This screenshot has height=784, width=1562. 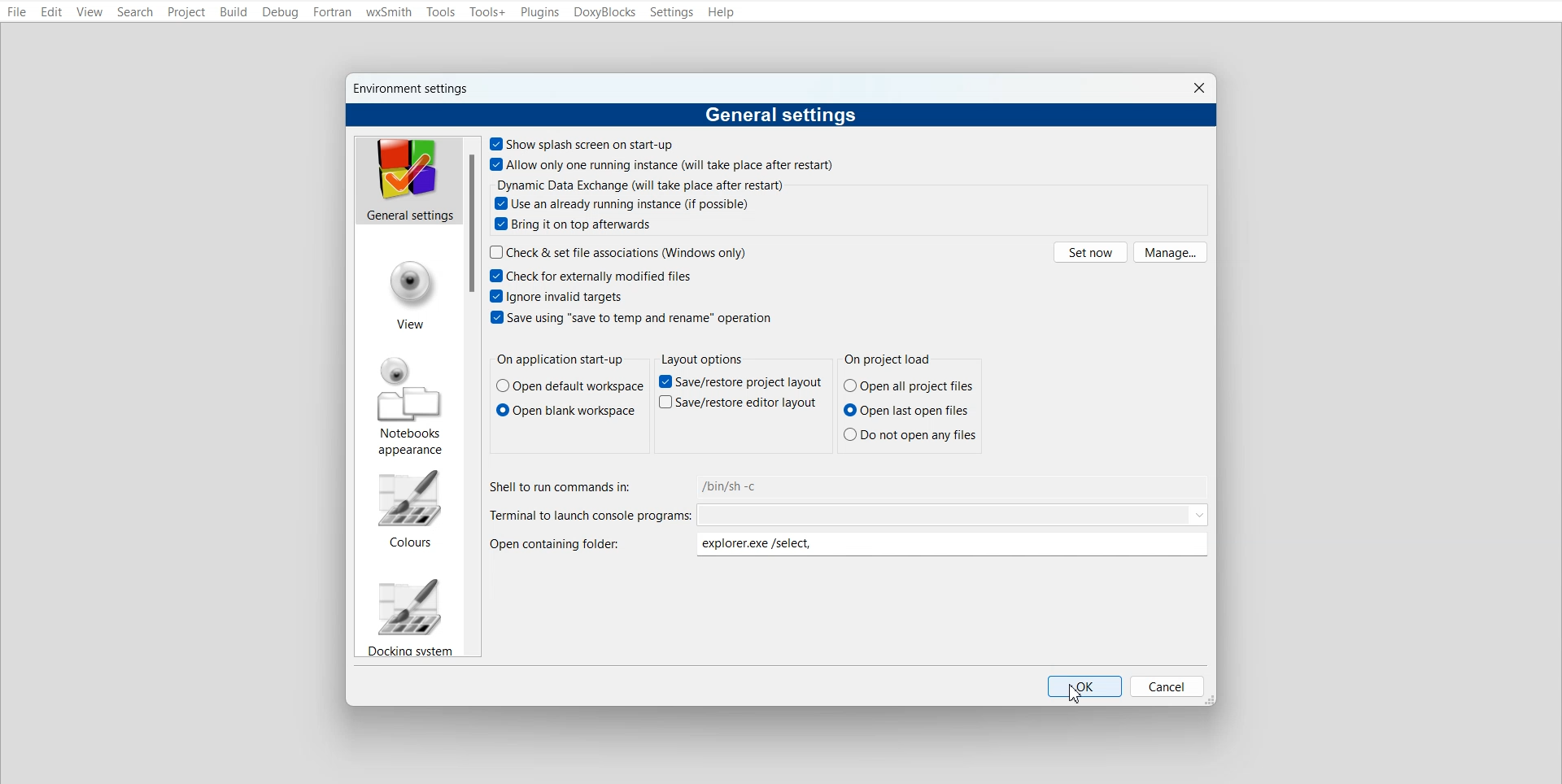 I want to click on Debug, so click(x=280, y=12).